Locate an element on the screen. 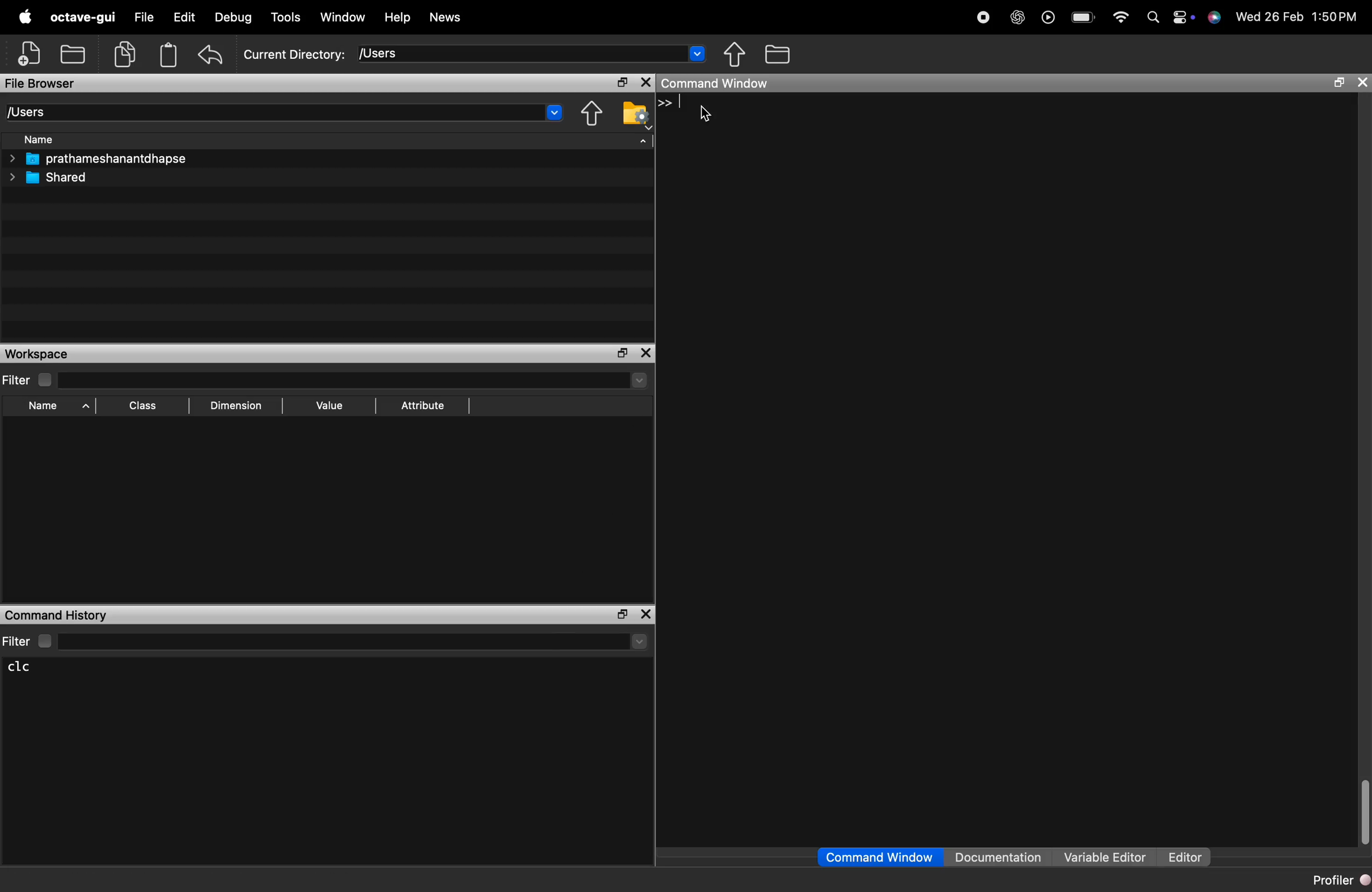 The width and height of the screenshot is (1372, 892). Variable Editor is located at coordinates (1106, 857).